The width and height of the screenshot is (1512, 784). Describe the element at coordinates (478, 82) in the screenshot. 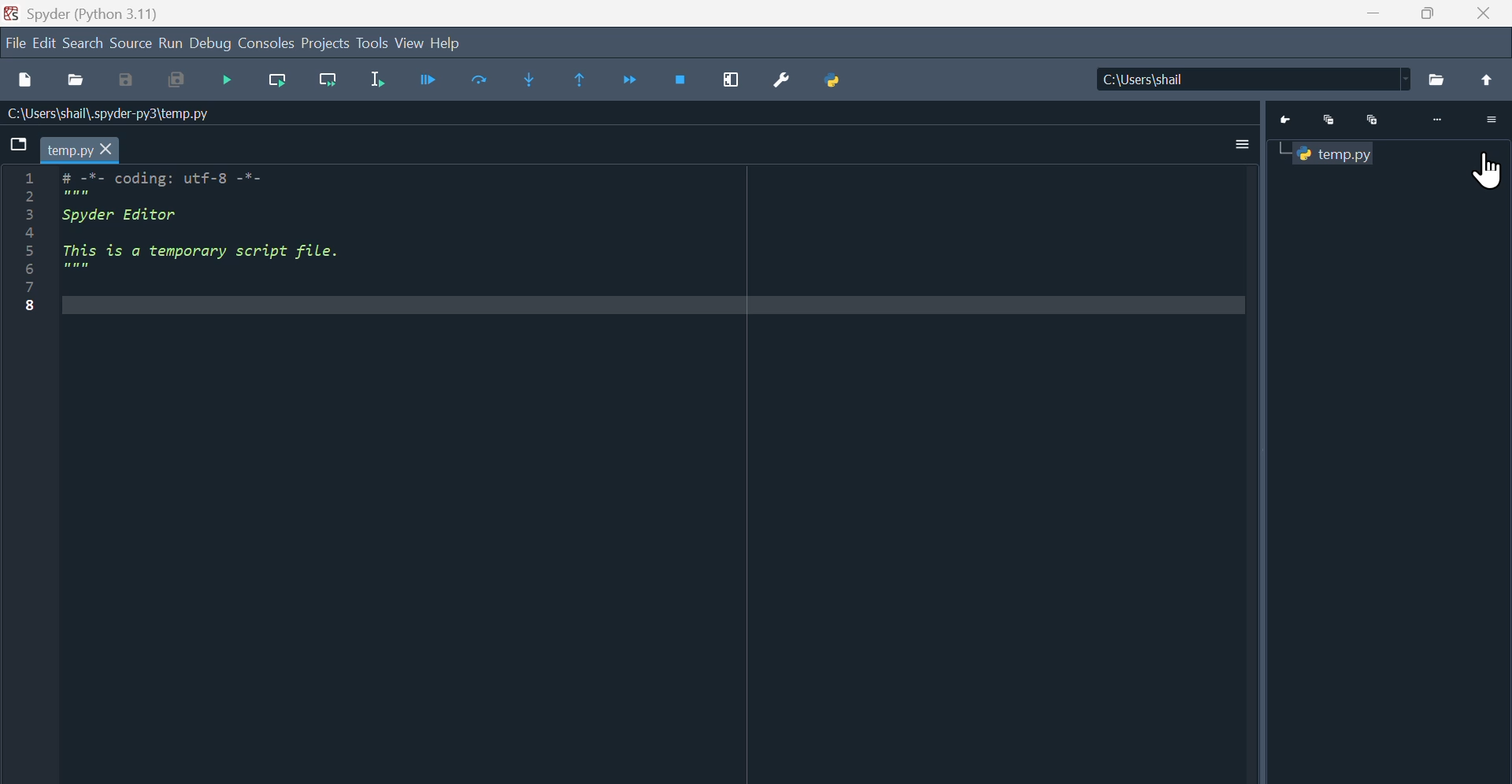

I see `` at that location.